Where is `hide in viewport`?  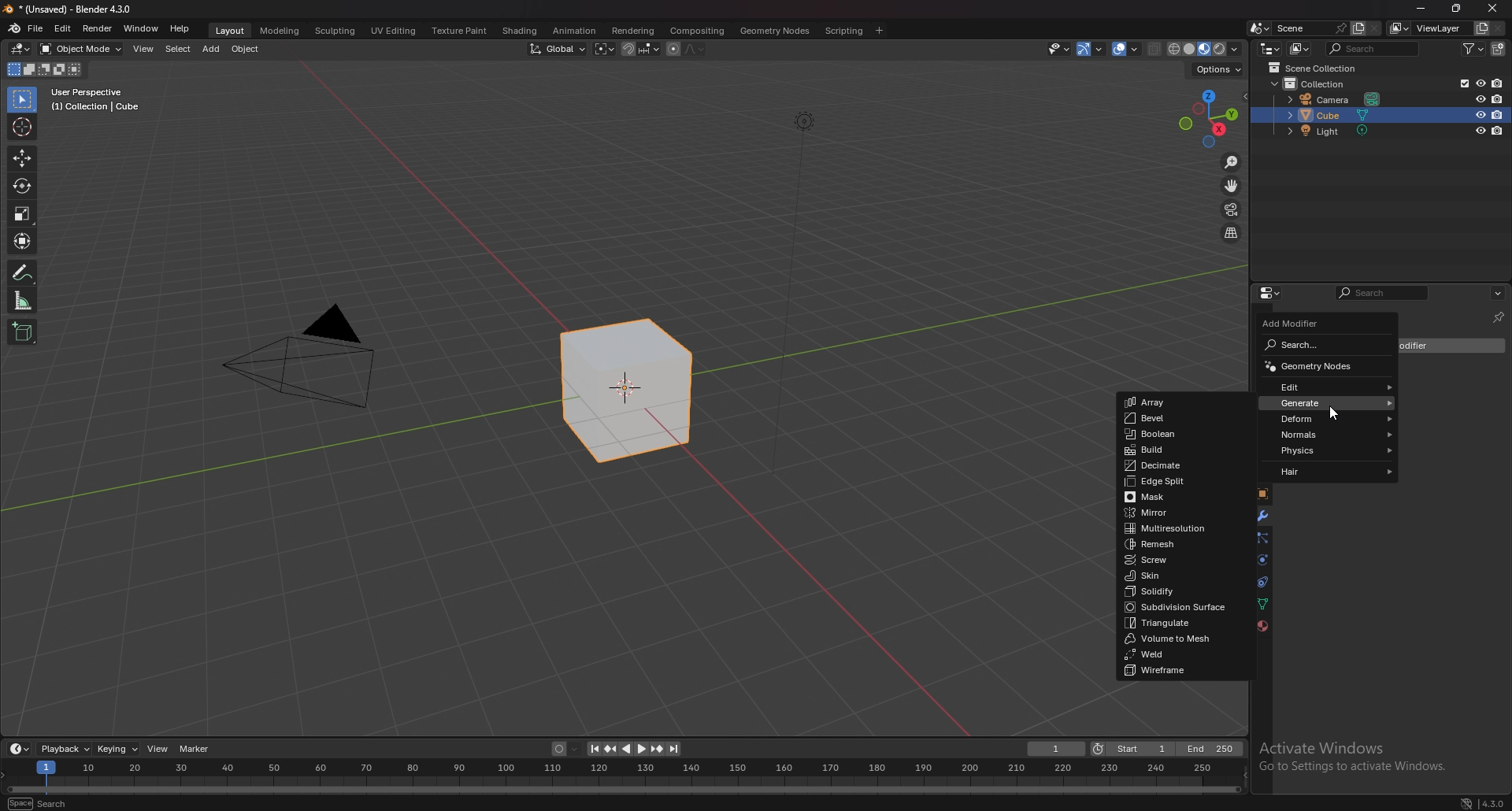 hide in viewport is located at coordinates (1480, 98).